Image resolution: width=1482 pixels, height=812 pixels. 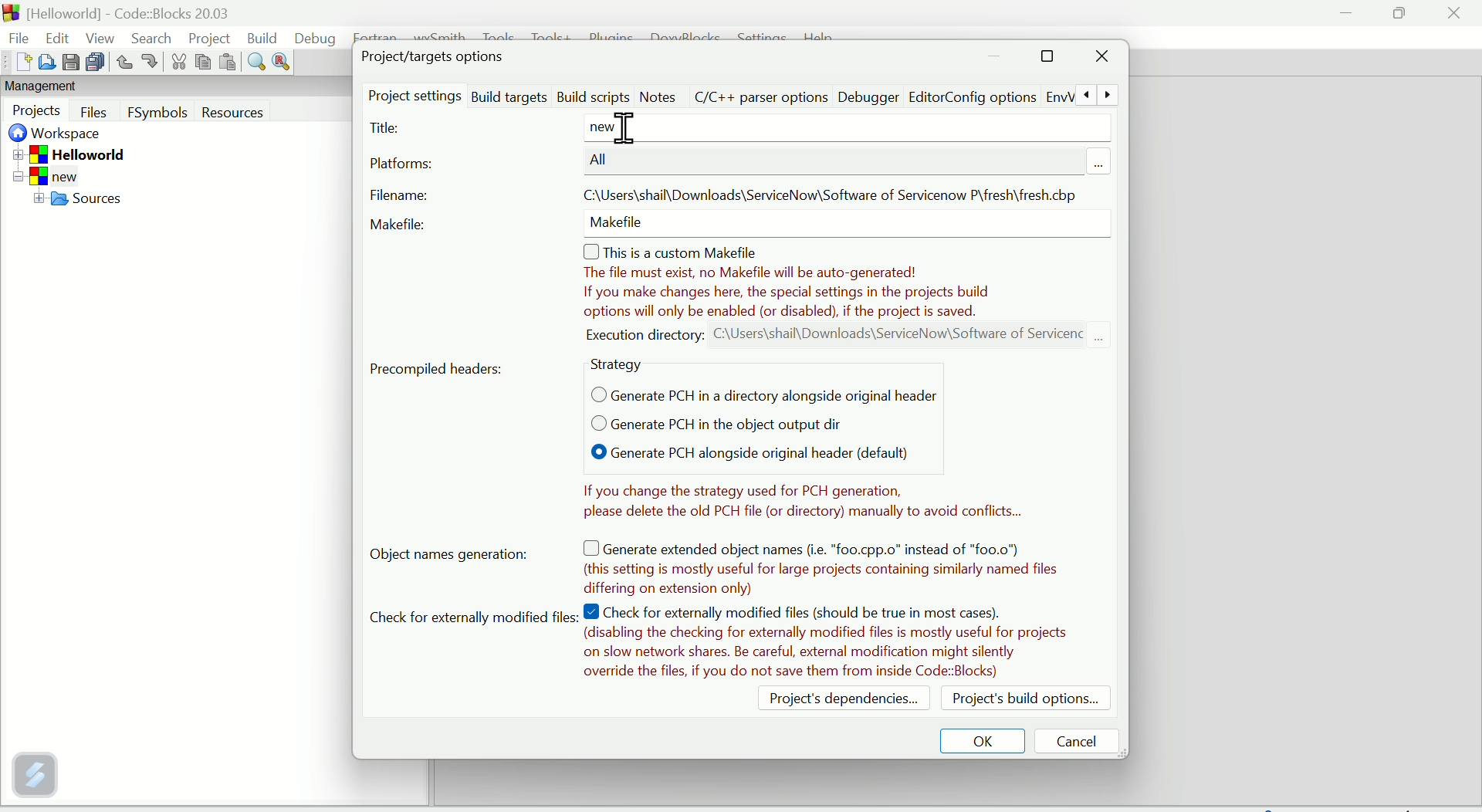 What do you see at coordinates (59, 176) in the screenshot?
I see `New` at bounding box center [59, 176].